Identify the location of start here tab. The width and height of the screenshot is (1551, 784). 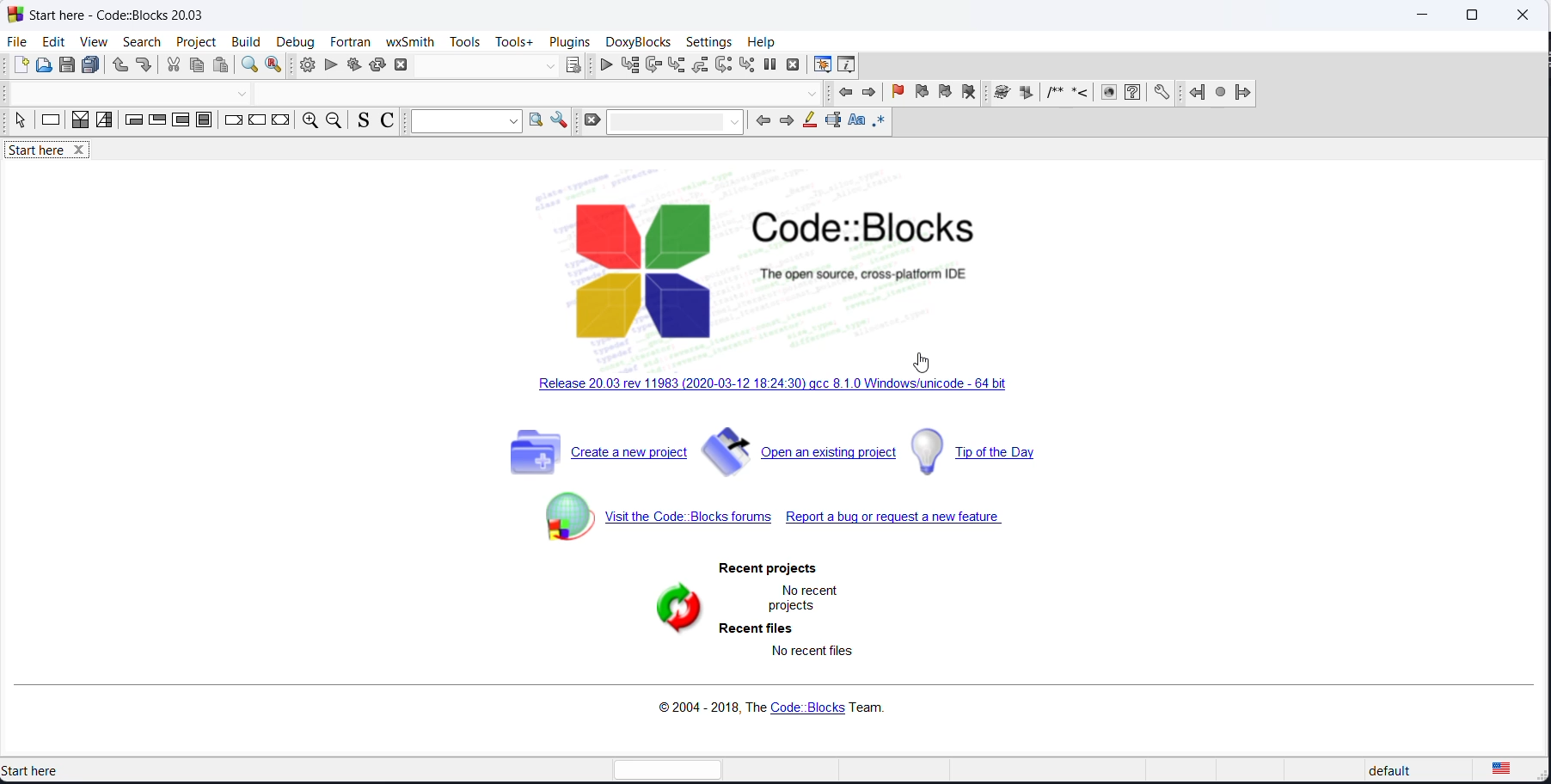
(58, 153).